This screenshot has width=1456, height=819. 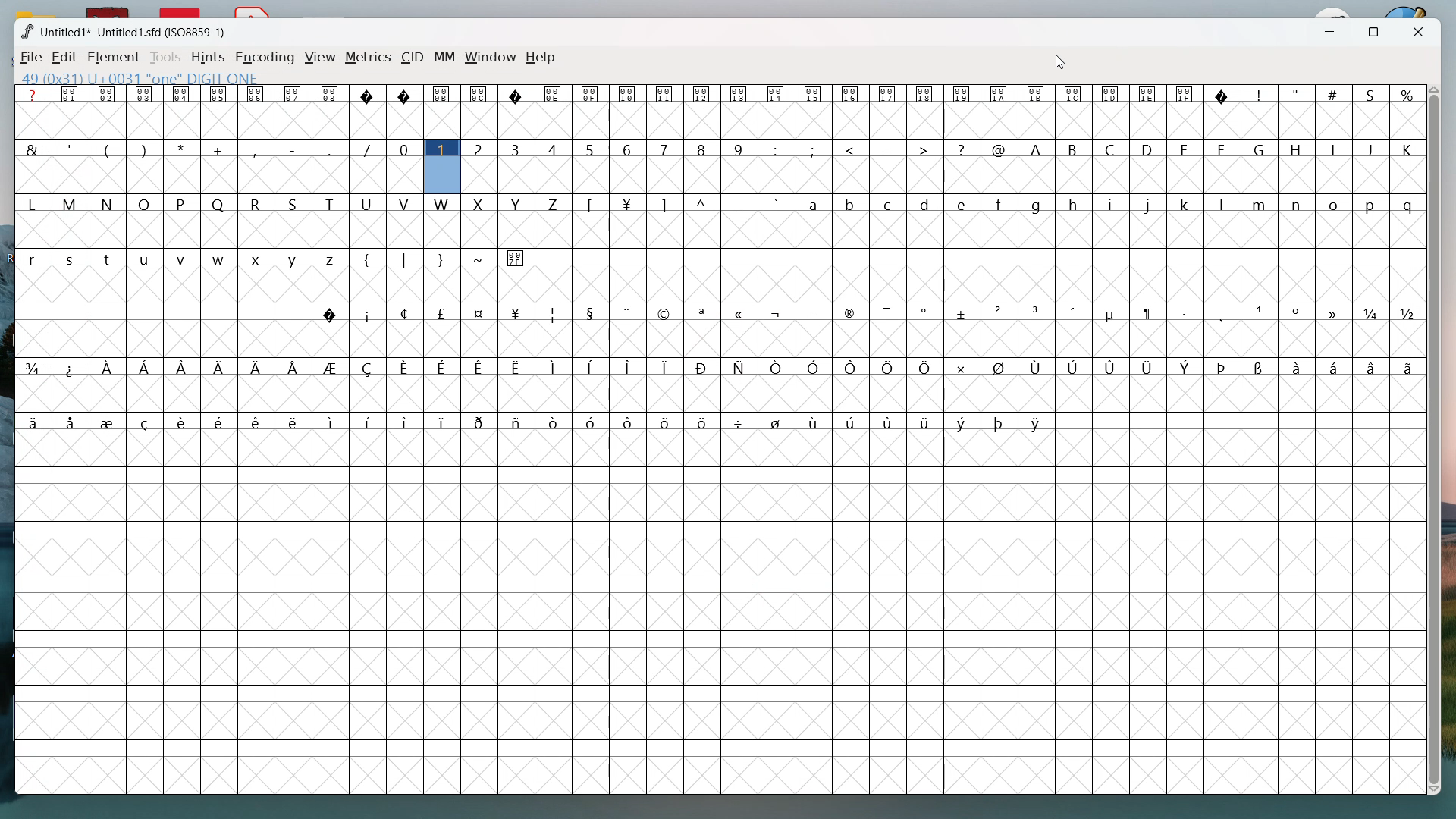 I want to click on symbol, so click(x=1186, y=313).